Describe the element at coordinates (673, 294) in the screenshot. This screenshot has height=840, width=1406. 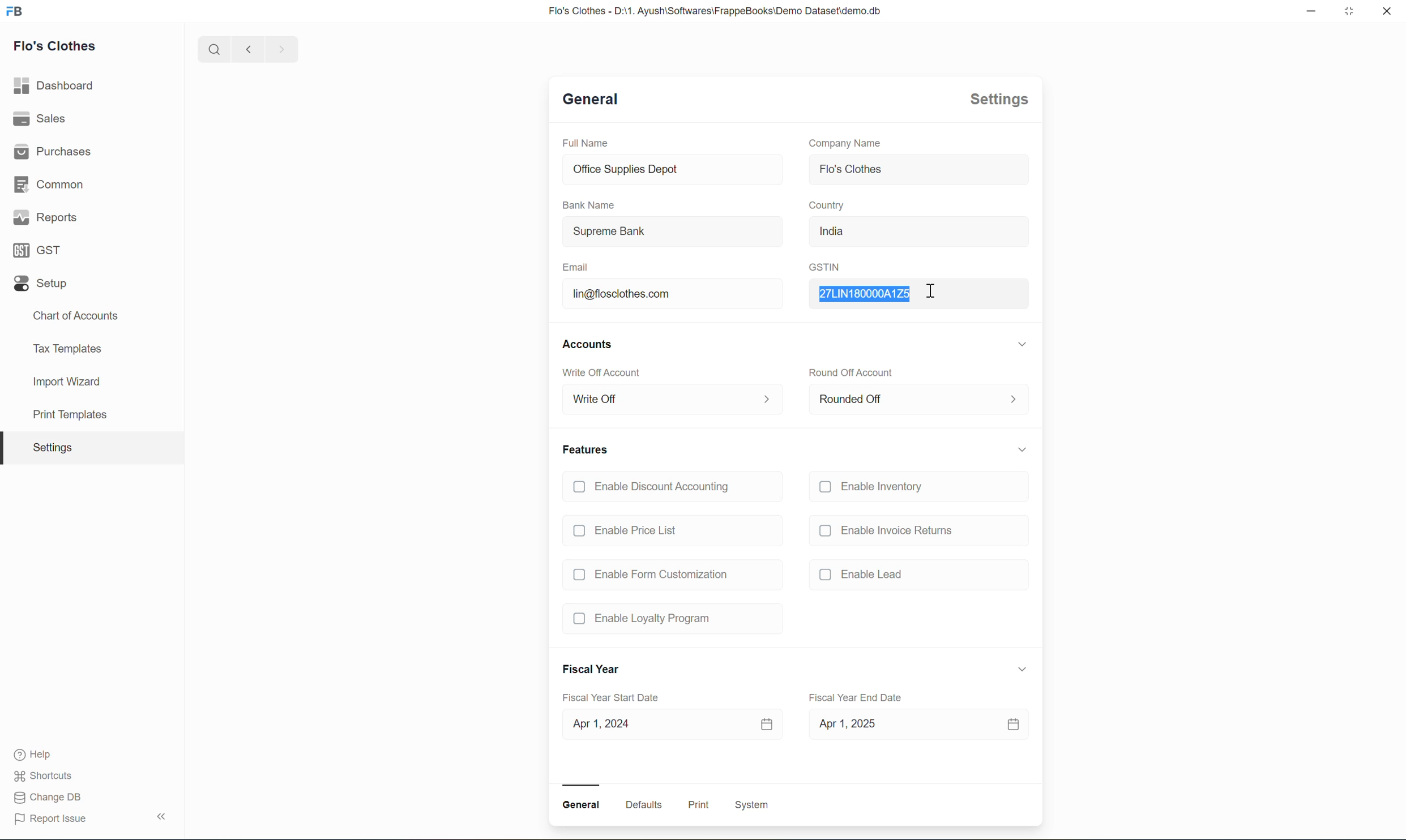
I see `lin@flosclothes.com` at that location.